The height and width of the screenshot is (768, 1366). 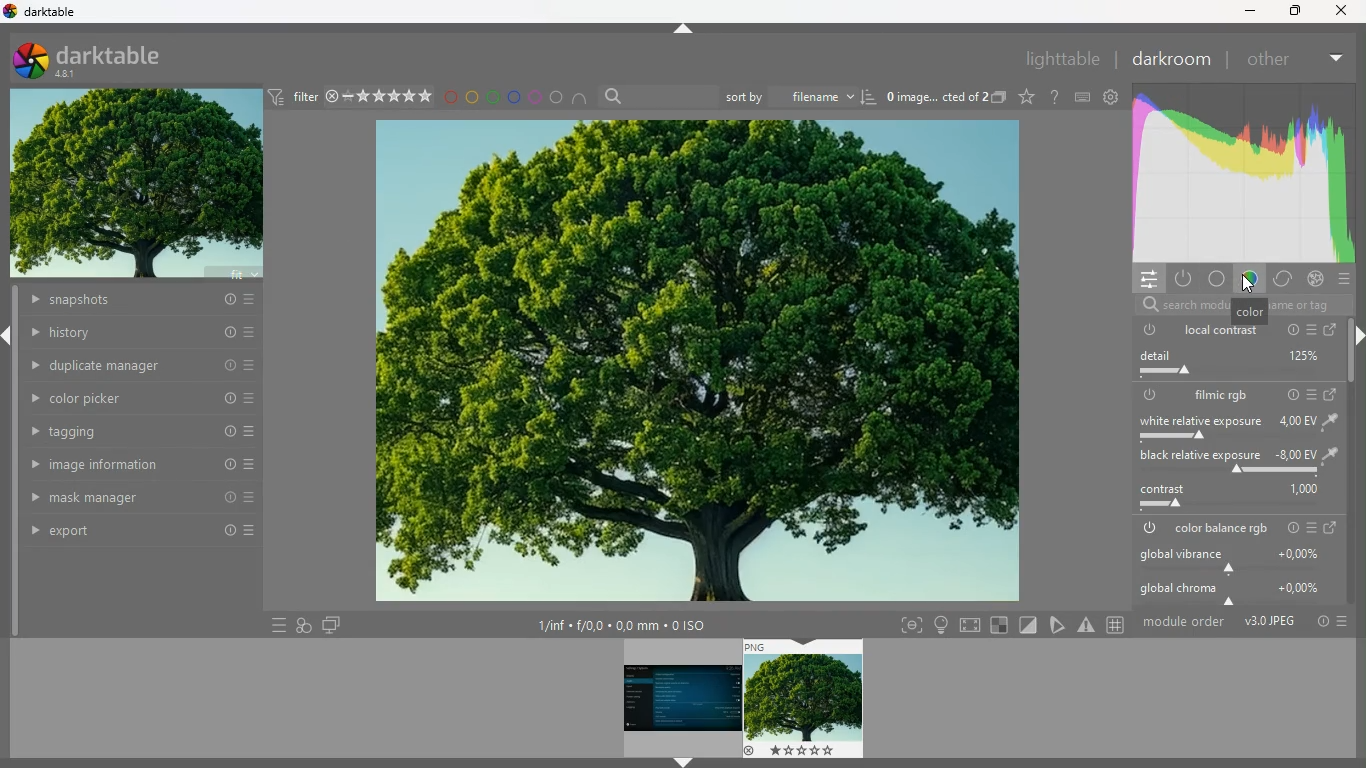 I want to click on screen, so click(x=331, y=624).